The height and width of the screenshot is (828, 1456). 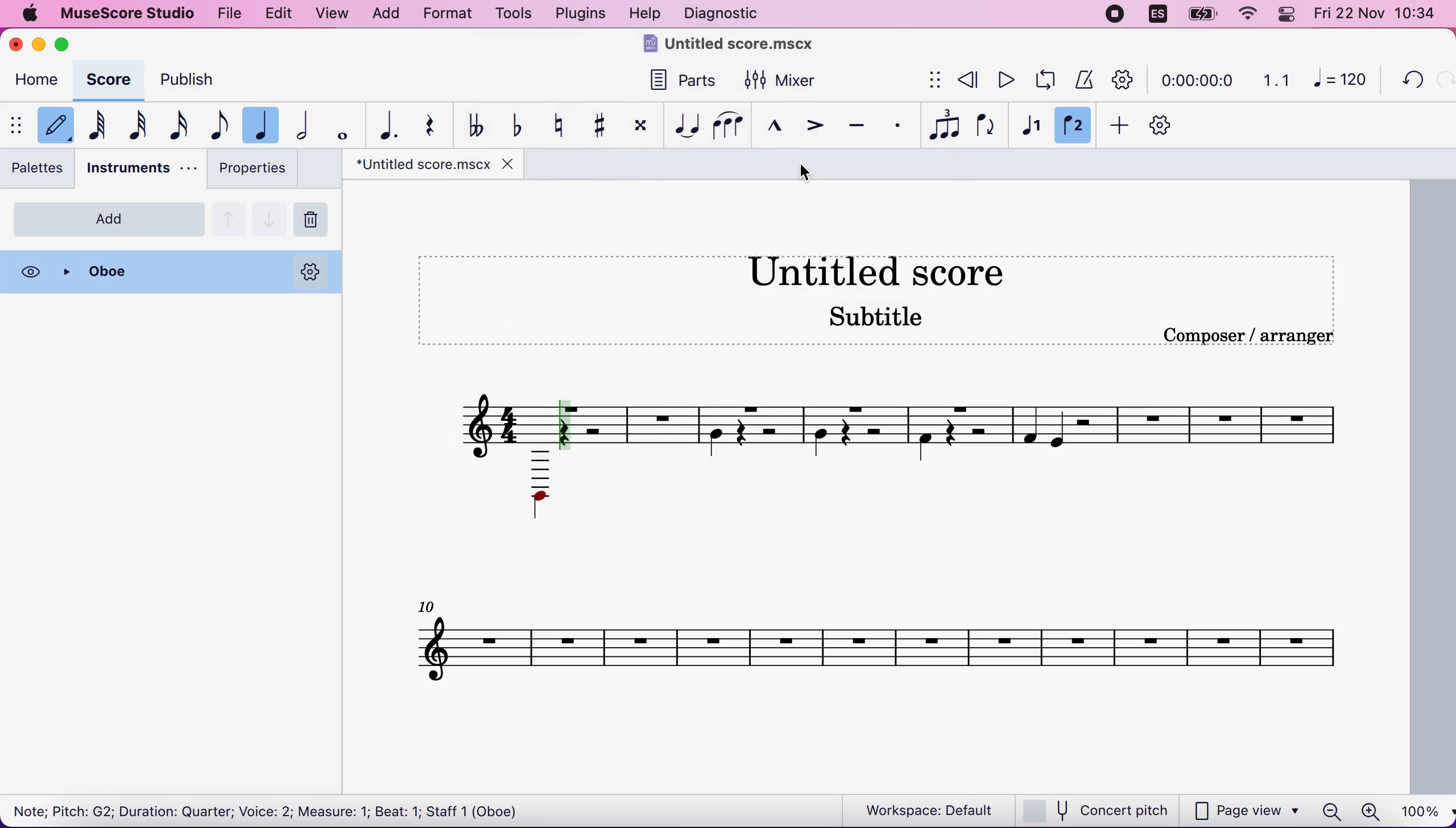 I want to click on slur, so click(x=734, y=126).